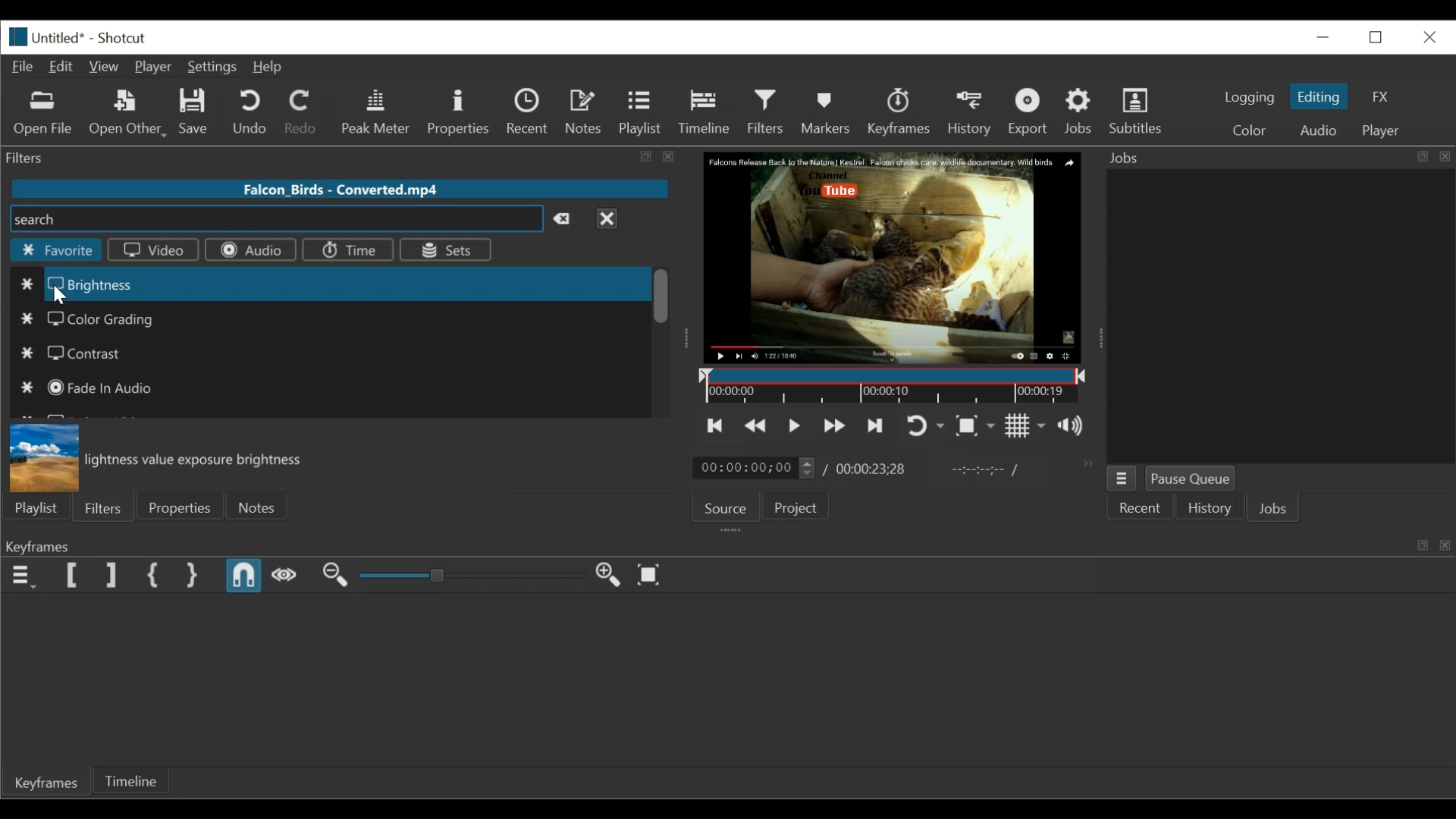 This screenshot has width=1456, height=819. What do you see at coordinates (154, 249) in the screenshot?
I see `Video` at bounding box center [154, 249].